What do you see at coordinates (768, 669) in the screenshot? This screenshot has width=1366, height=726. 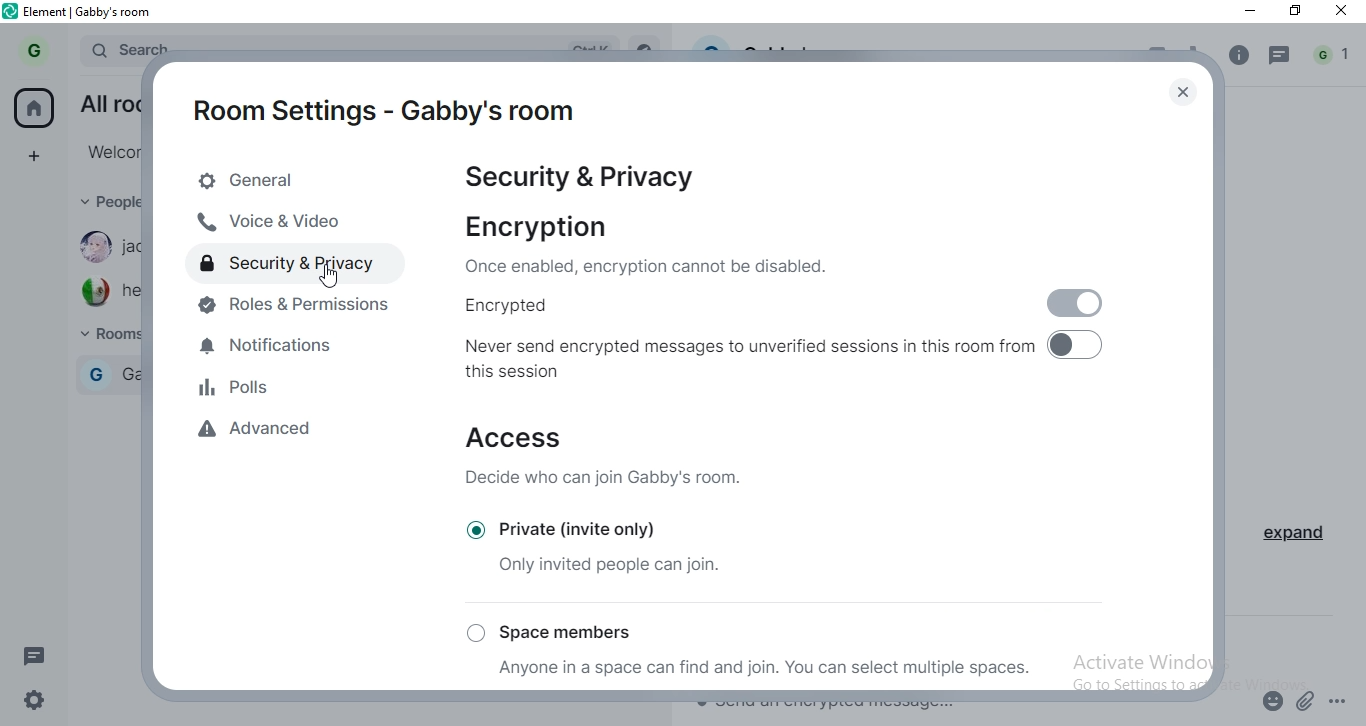 I see `Anyone in a space can find and join. You can select multiple spaces.` at bounding box center [768, 669].